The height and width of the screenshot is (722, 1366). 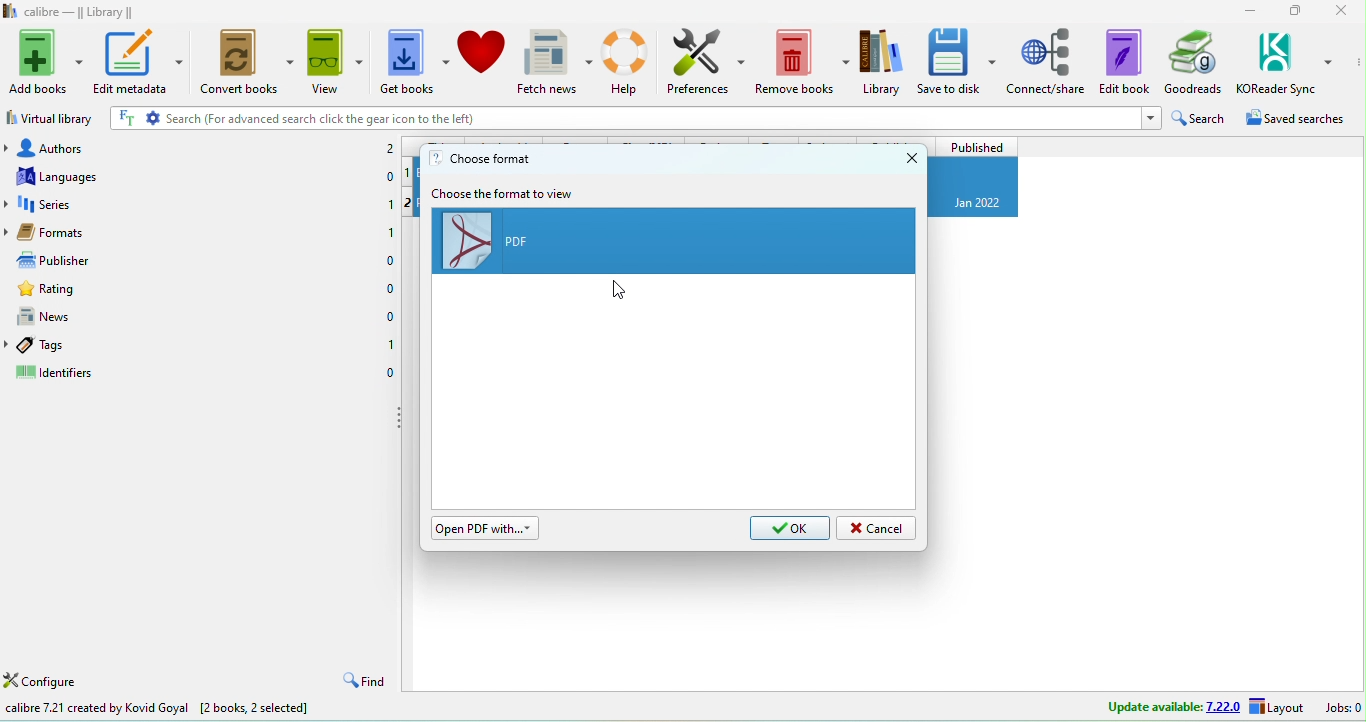 I want to click on calibre -library, so click(x=80, y=11).